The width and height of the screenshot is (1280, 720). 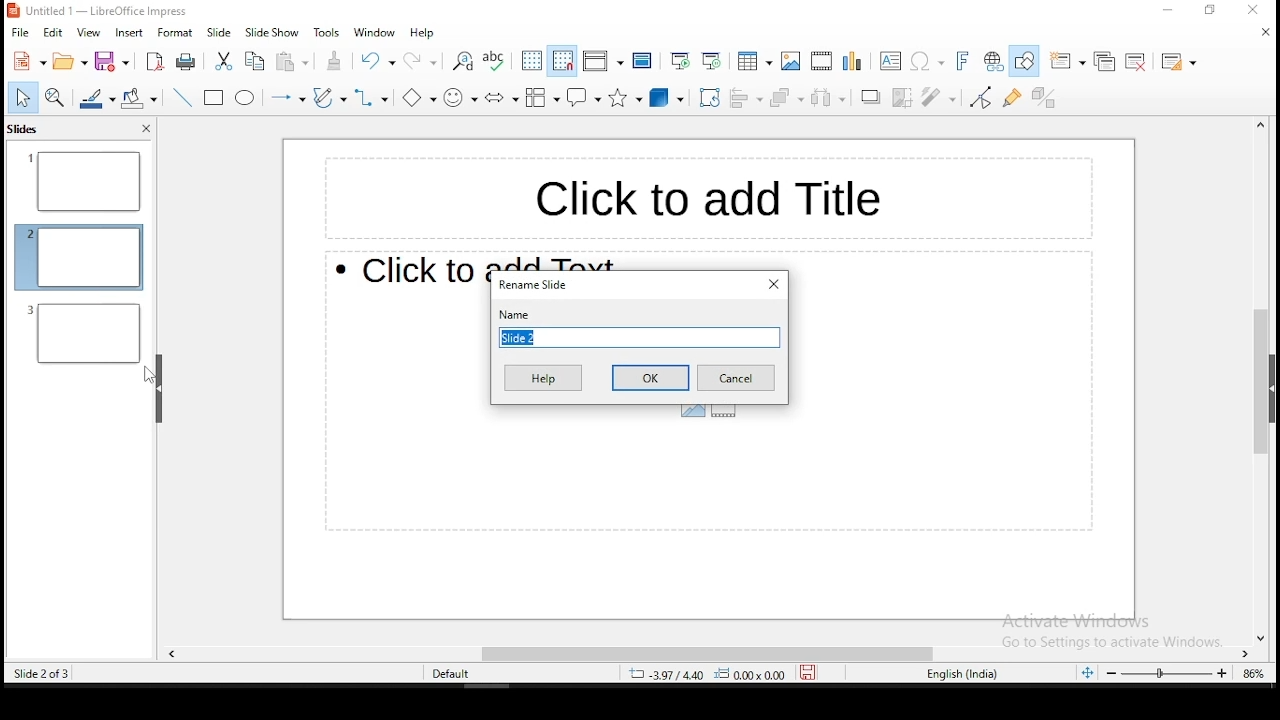 What do you see at coordinates (184, 98) in the screenshot?
I see `line` at bounding box center [184, 98].